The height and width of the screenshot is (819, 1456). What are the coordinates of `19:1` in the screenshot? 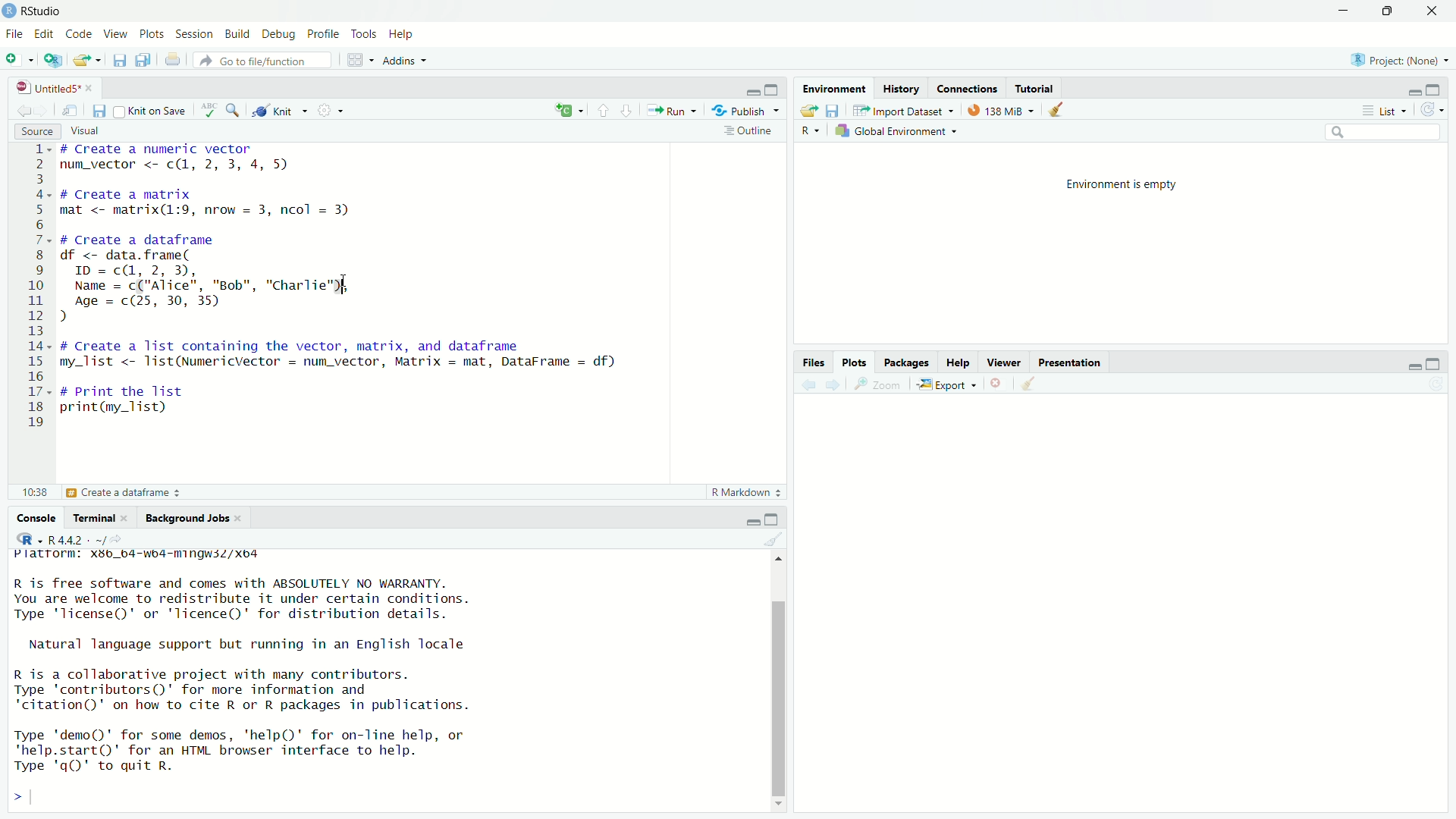 It's located at (36, 493).